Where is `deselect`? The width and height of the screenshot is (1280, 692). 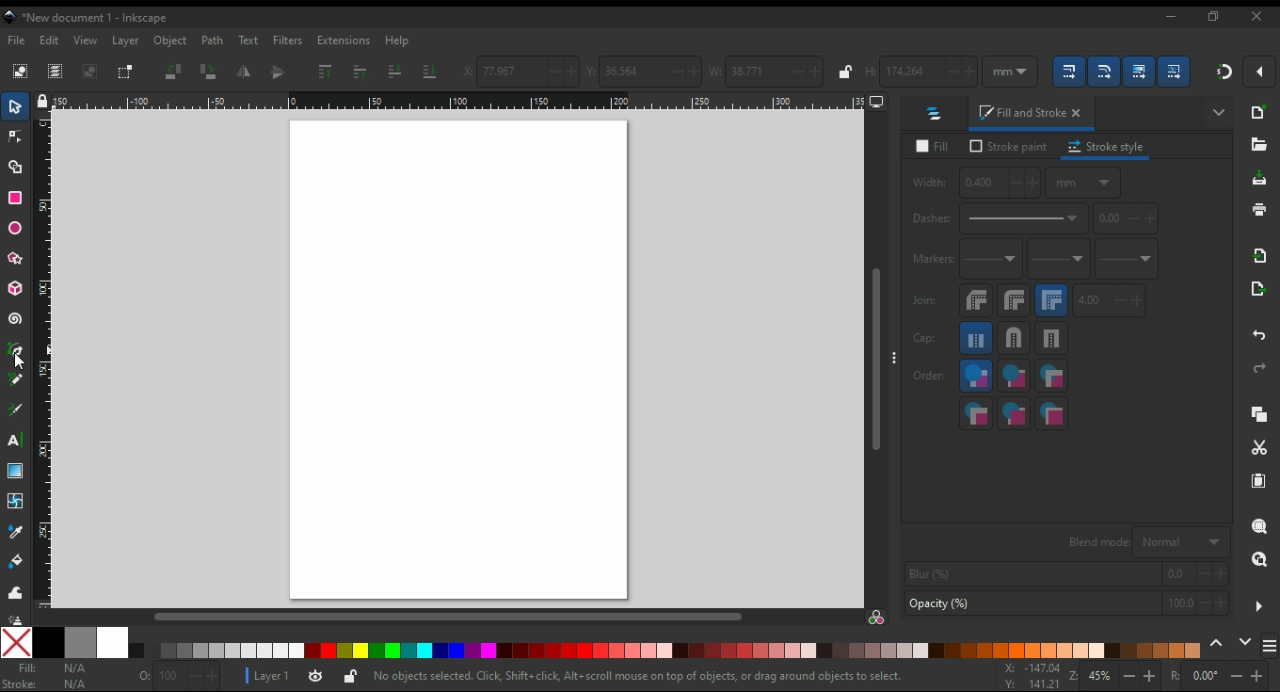
deselect is located at coordinates (89, 71).